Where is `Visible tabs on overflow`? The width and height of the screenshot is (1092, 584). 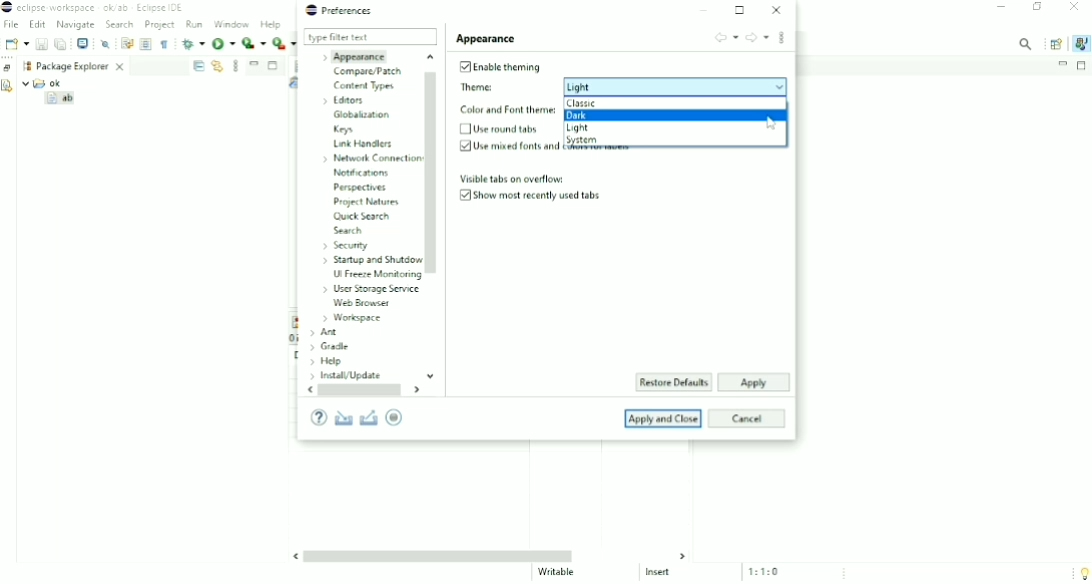 Visible tabs on overflow is located at coordinates (512, 178).